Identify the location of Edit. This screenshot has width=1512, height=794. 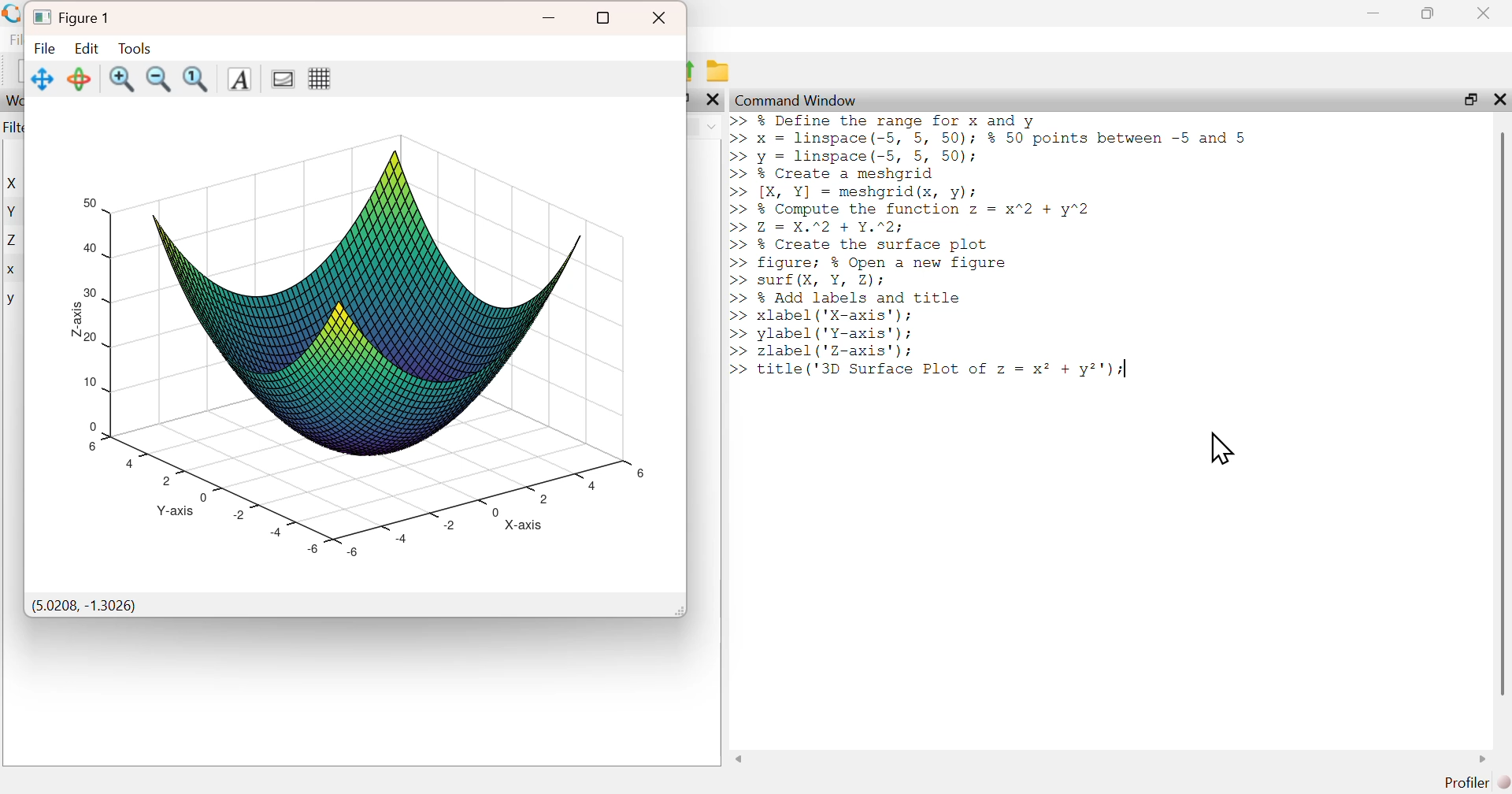
(87, 47).